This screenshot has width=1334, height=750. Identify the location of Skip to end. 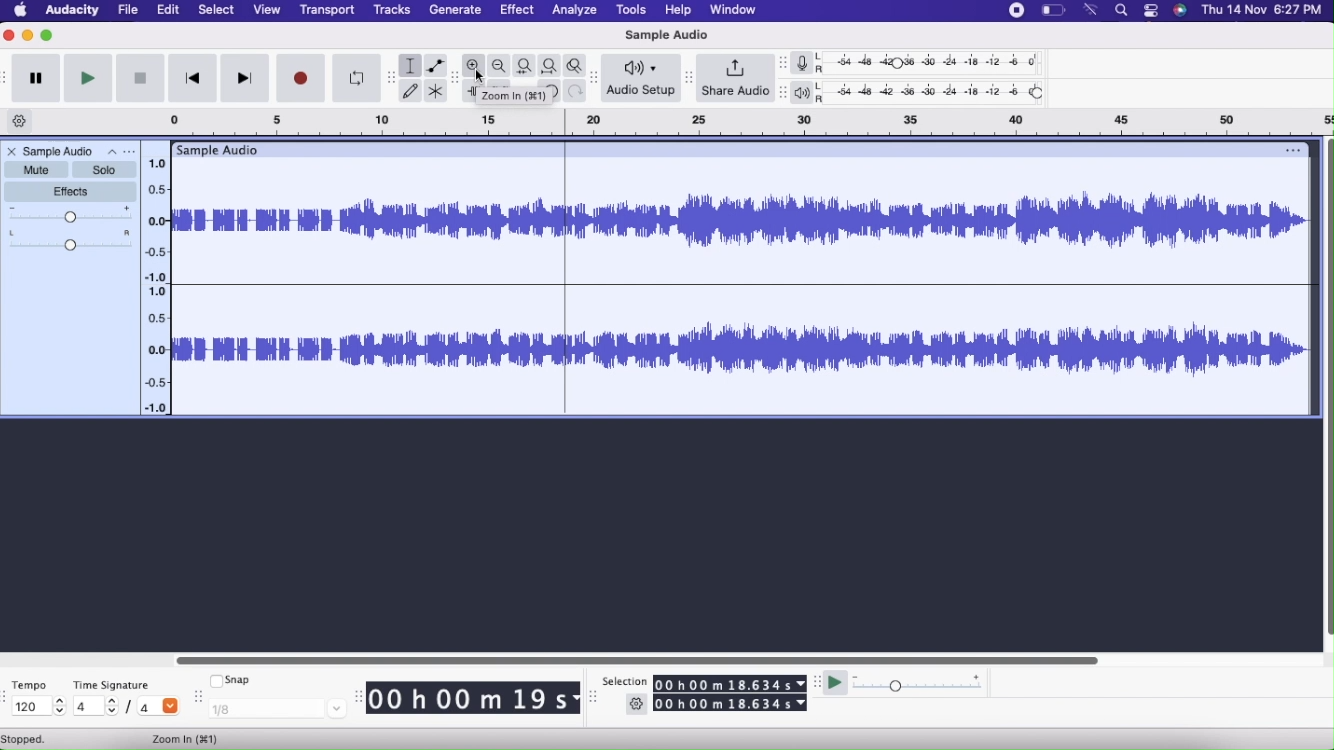
(246, 78).